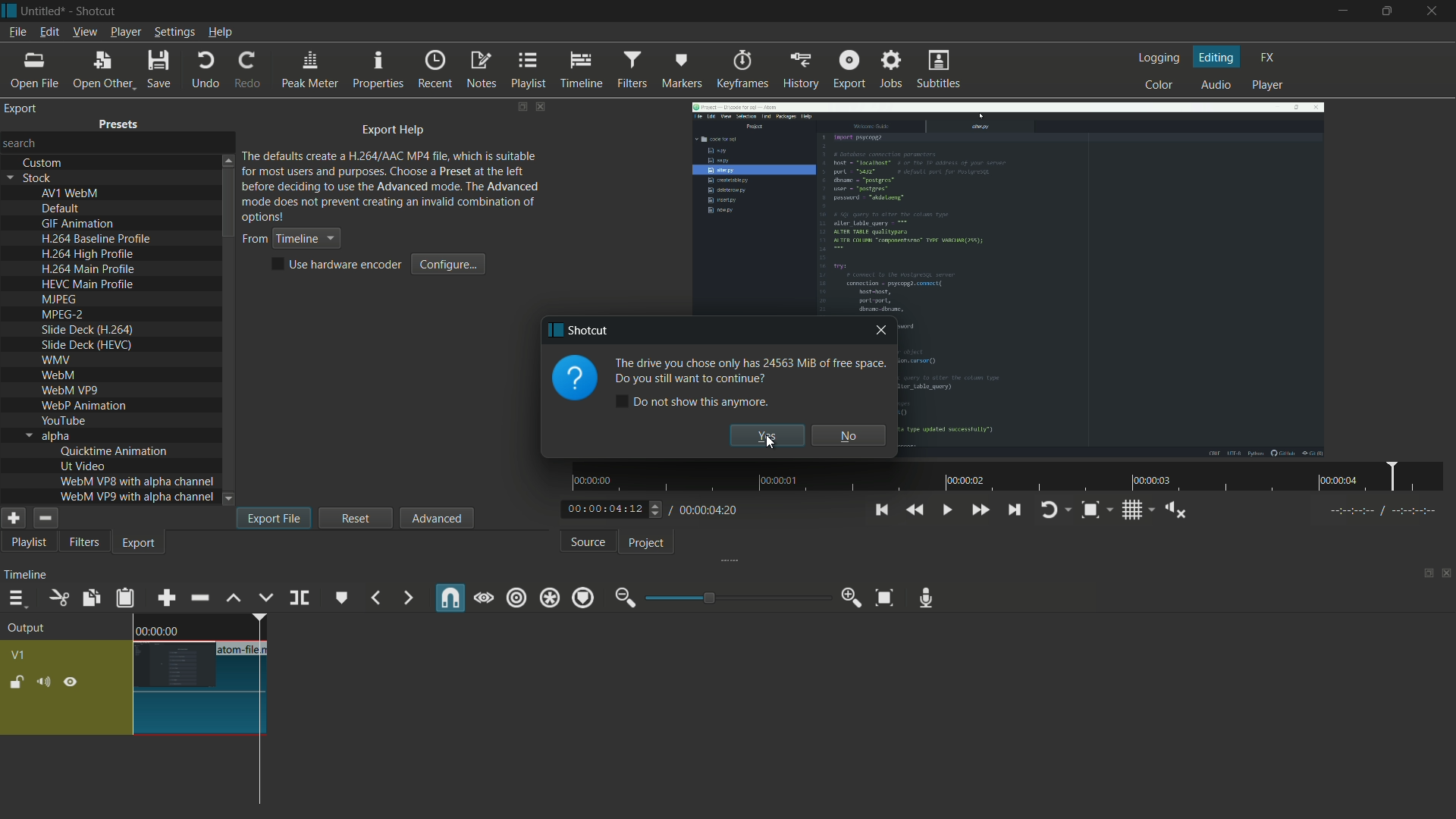 This screenshot has width=1456, height=819. Describe the element at coordinates (356, 517) in the screenshot. I see `reset` at that location.